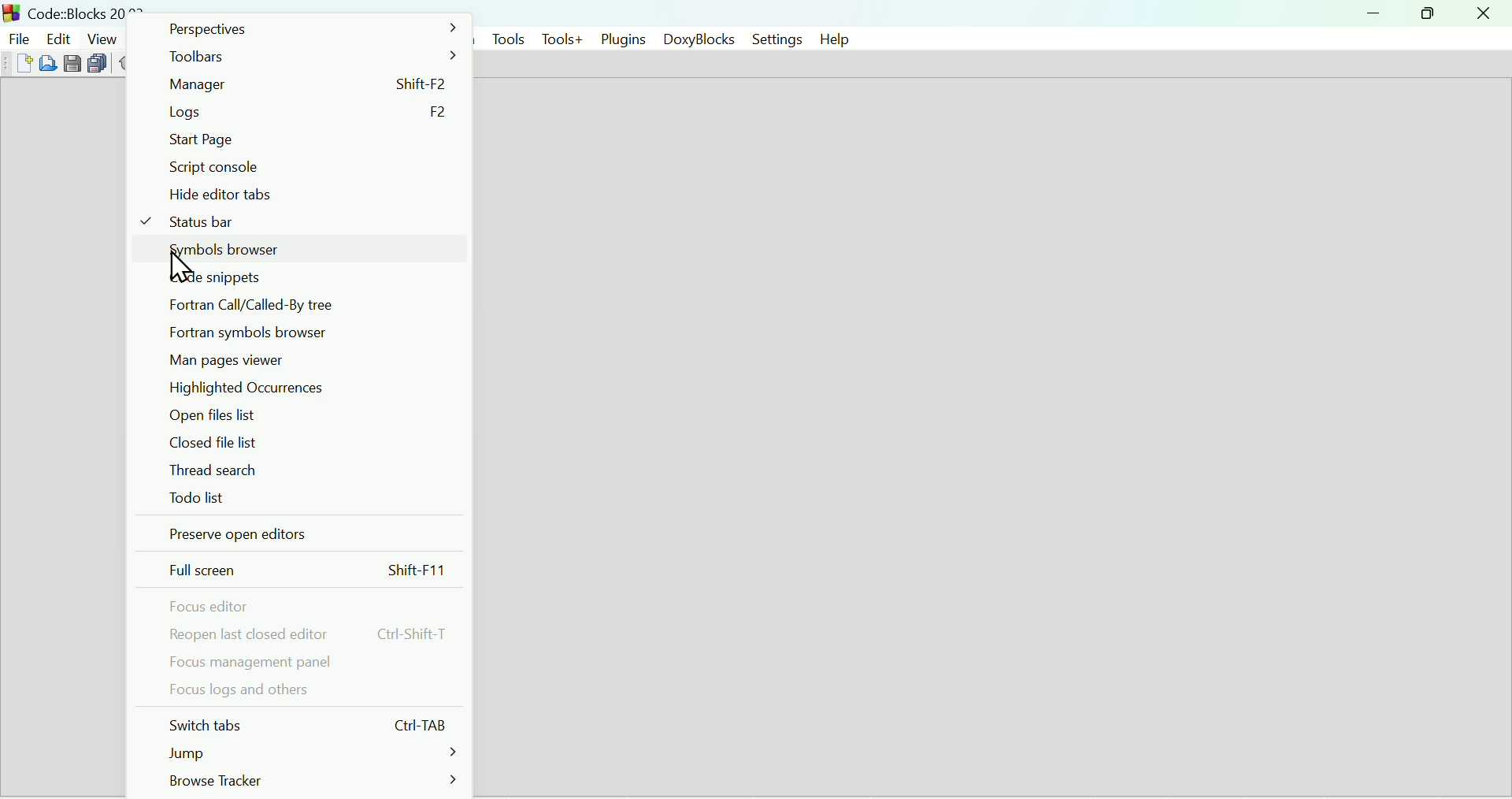 The height and width of the screenshot is (799, 1512). Describe the element at coordinates (303, 498) in the screenshot. I see `To do list` at that location.